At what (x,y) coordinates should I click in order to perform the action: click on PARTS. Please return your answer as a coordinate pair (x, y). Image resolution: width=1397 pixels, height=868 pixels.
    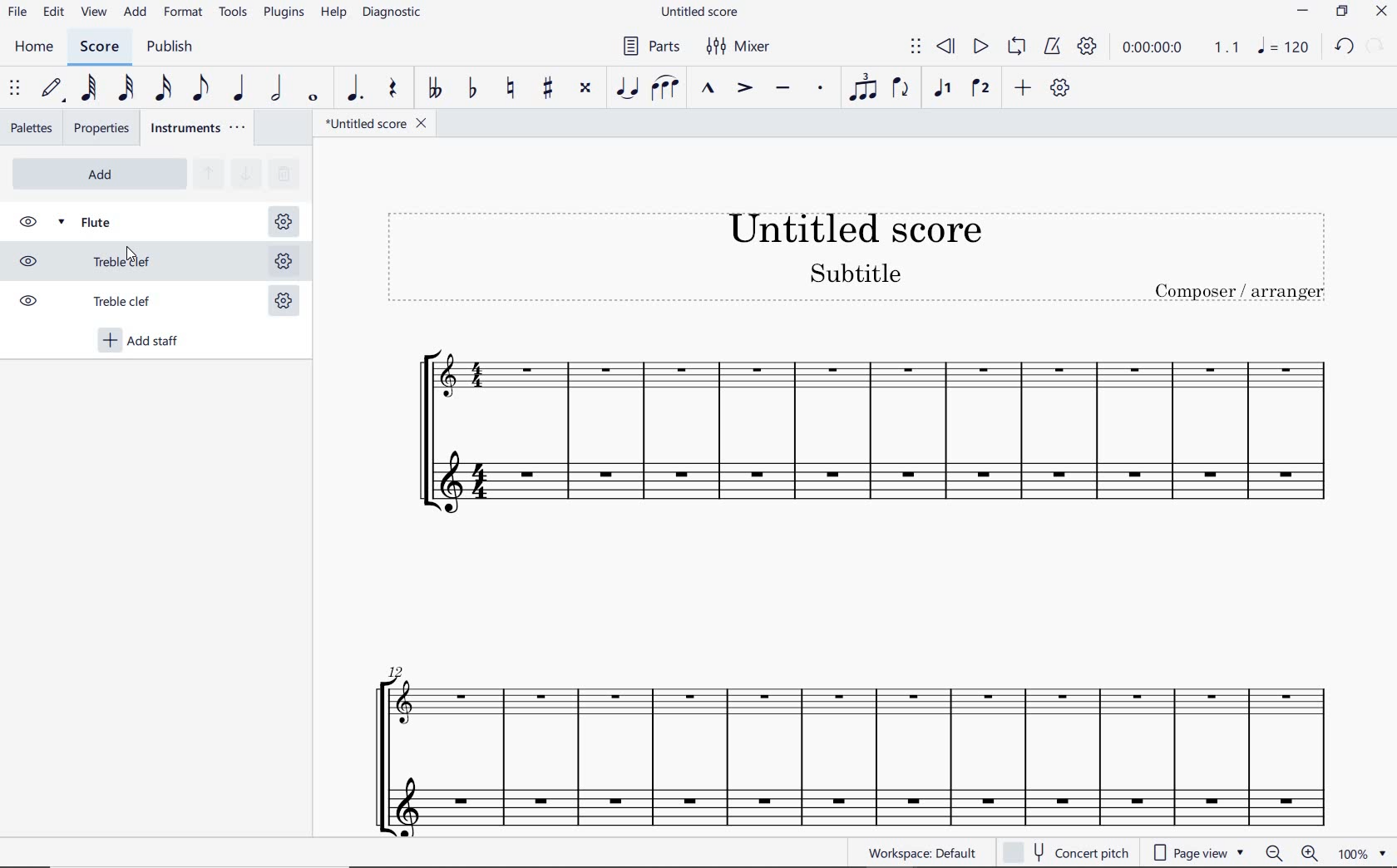
    Looking at the image, I should click on (652, 47).